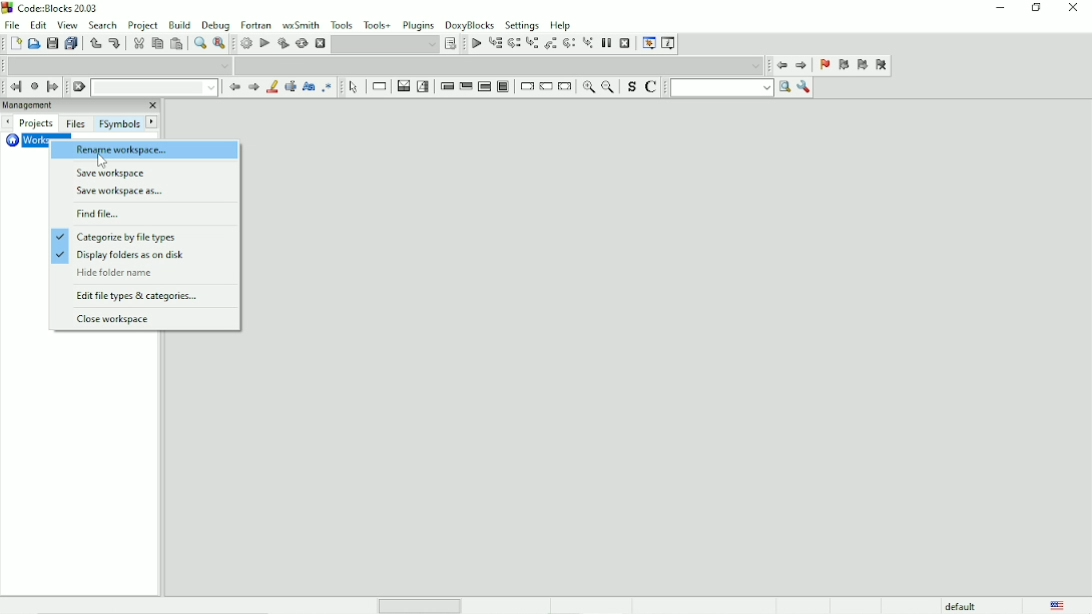  Describe the element at coordinates (220, 43) in the screenshot. I see `Replace` at that location.